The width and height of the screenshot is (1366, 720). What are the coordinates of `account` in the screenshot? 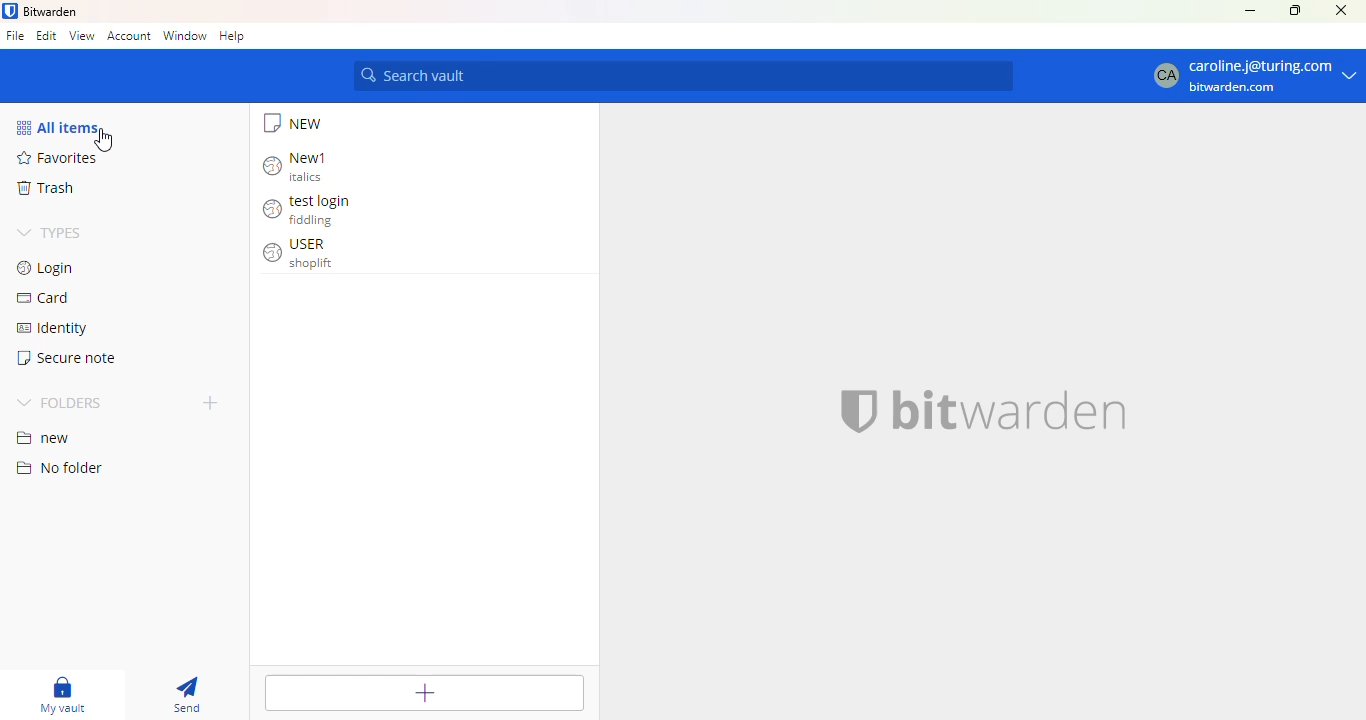 It's located at (129, 35).